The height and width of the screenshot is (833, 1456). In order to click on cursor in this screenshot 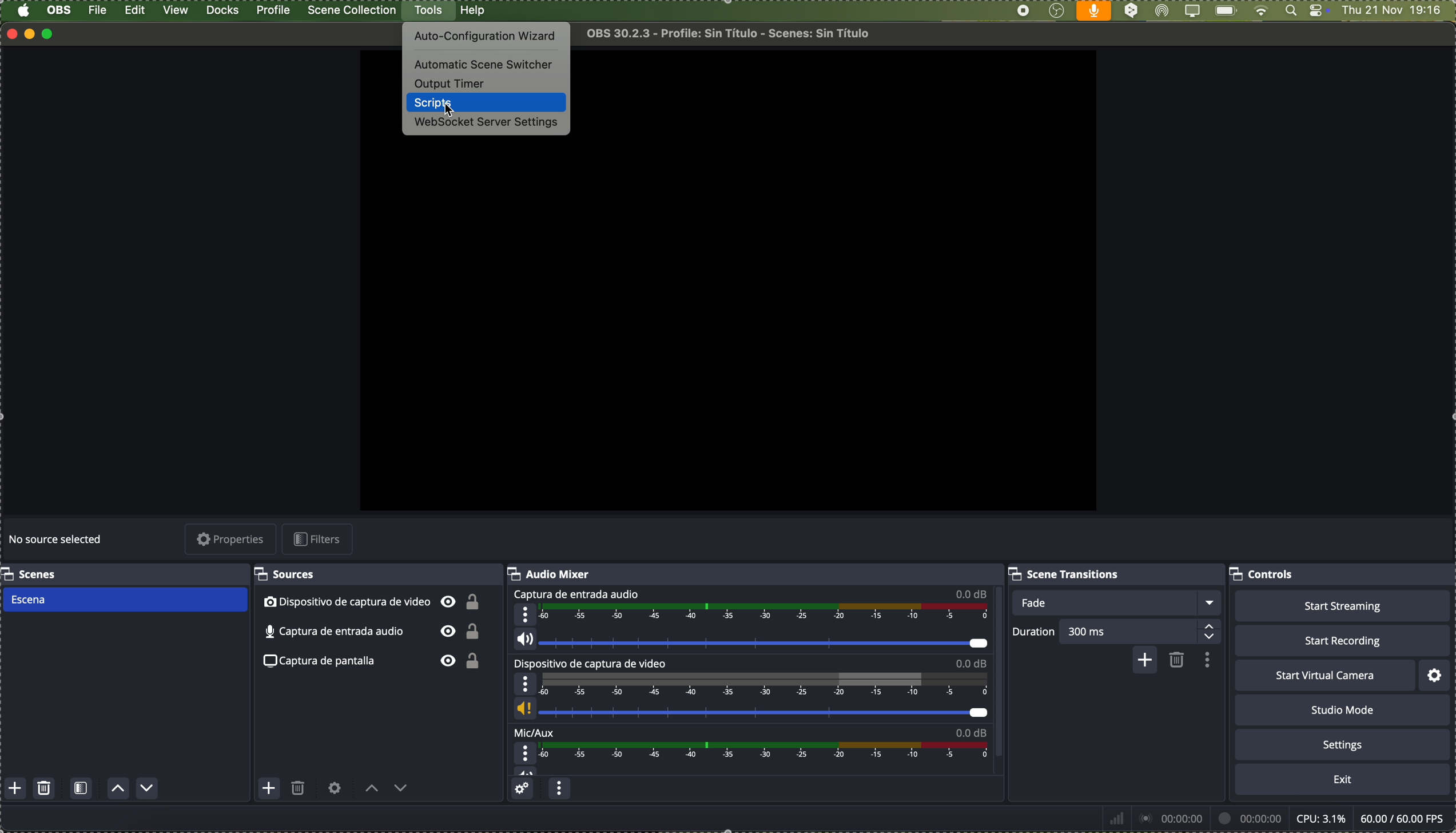, I will do `click(452, 110)`.